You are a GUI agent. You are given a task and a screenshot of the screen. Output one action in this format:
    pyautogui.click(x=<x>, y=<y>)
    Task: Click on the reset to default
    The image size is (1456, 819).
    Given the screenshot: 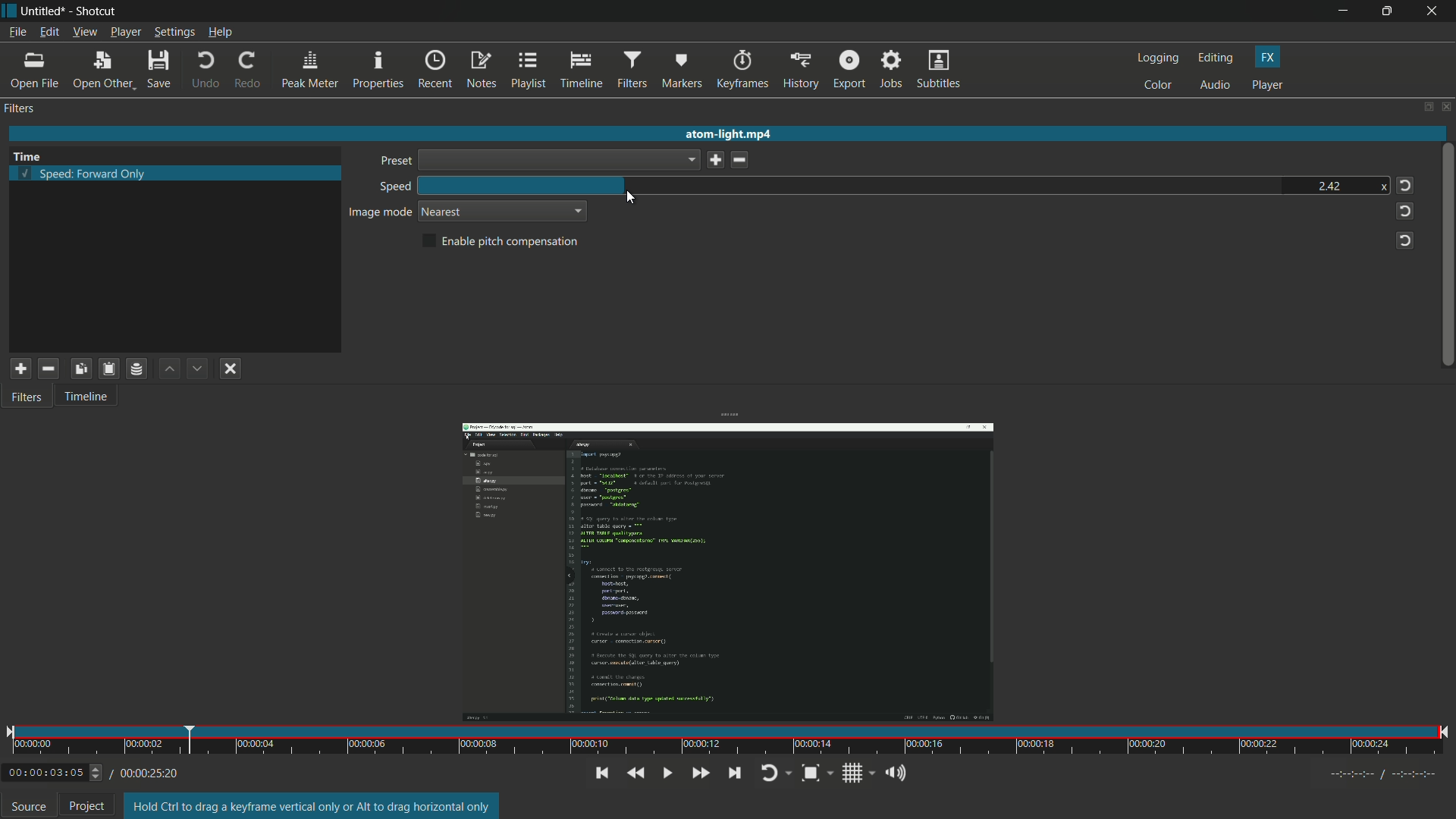 What is the action you would take?
    pyautogui.click(x=1404, y=210)
    